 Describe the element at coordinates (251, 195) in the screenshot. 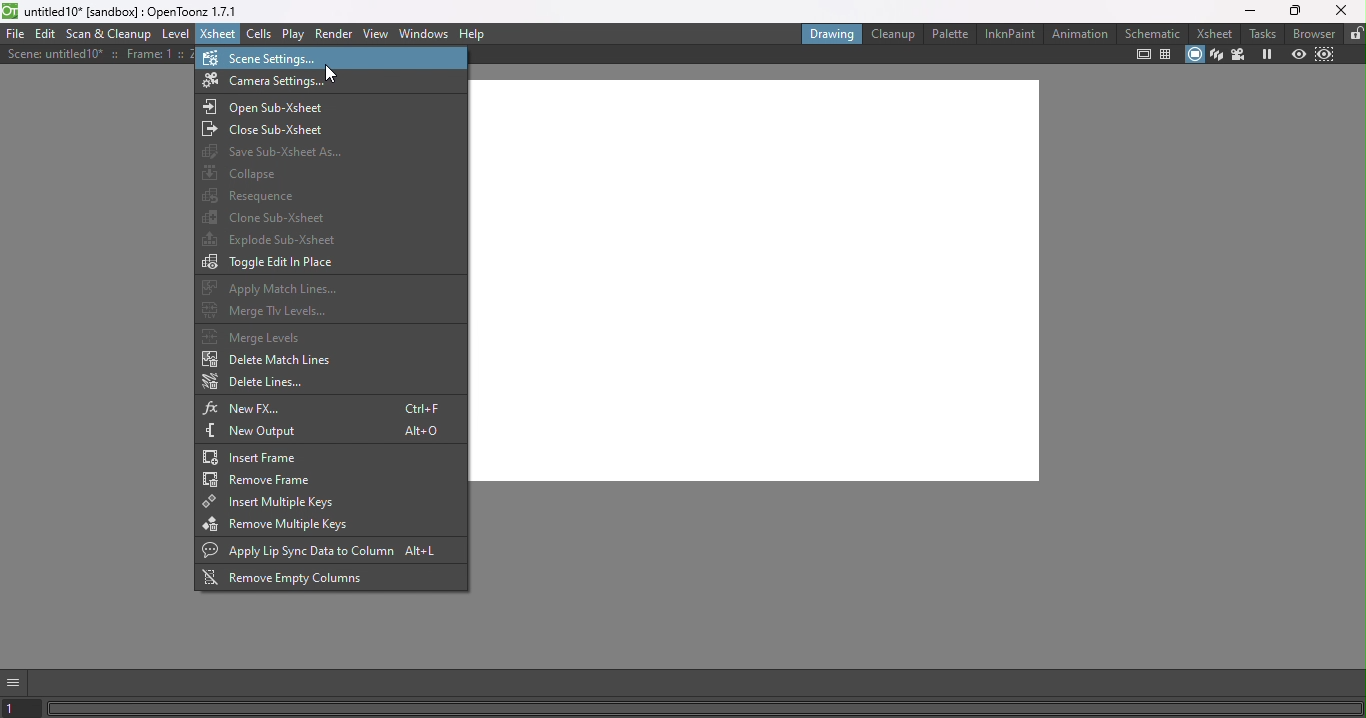

I see `Resequence` at that location.